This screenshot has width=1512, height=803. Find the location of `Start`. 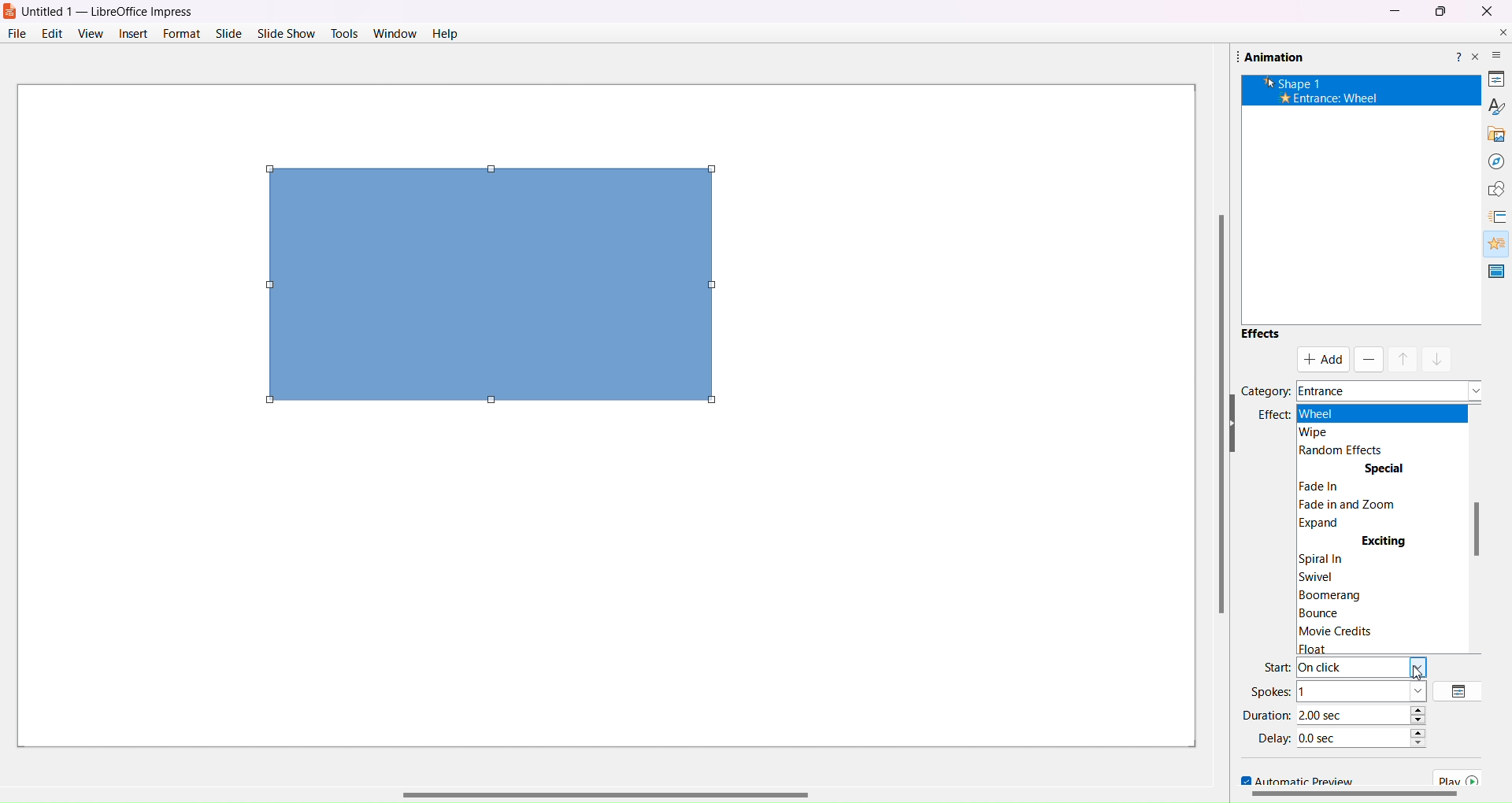

Start is located at coordinates (1275, 666).